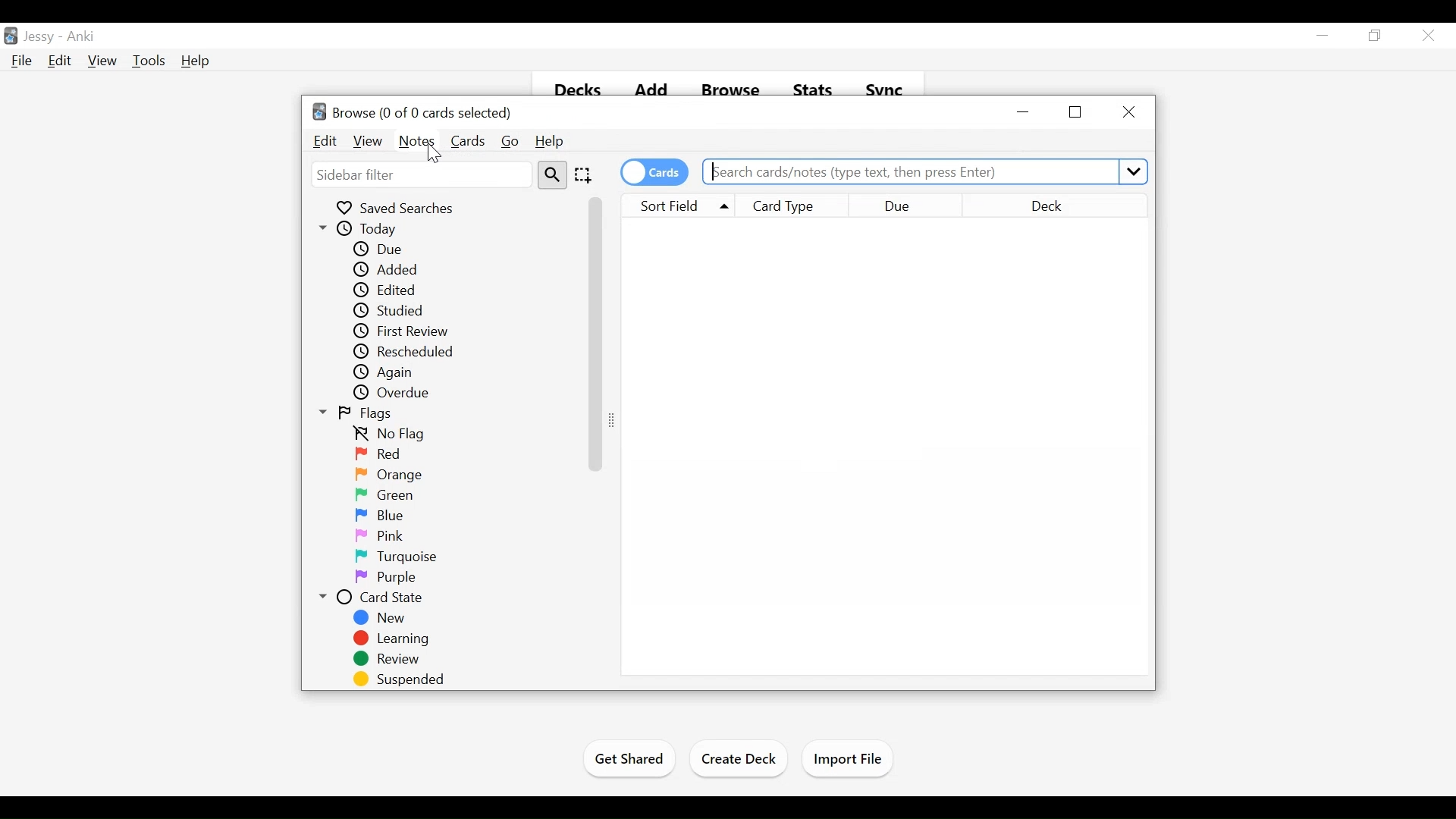  I want to click on Browse (number of selected cards), so click(413, 111).